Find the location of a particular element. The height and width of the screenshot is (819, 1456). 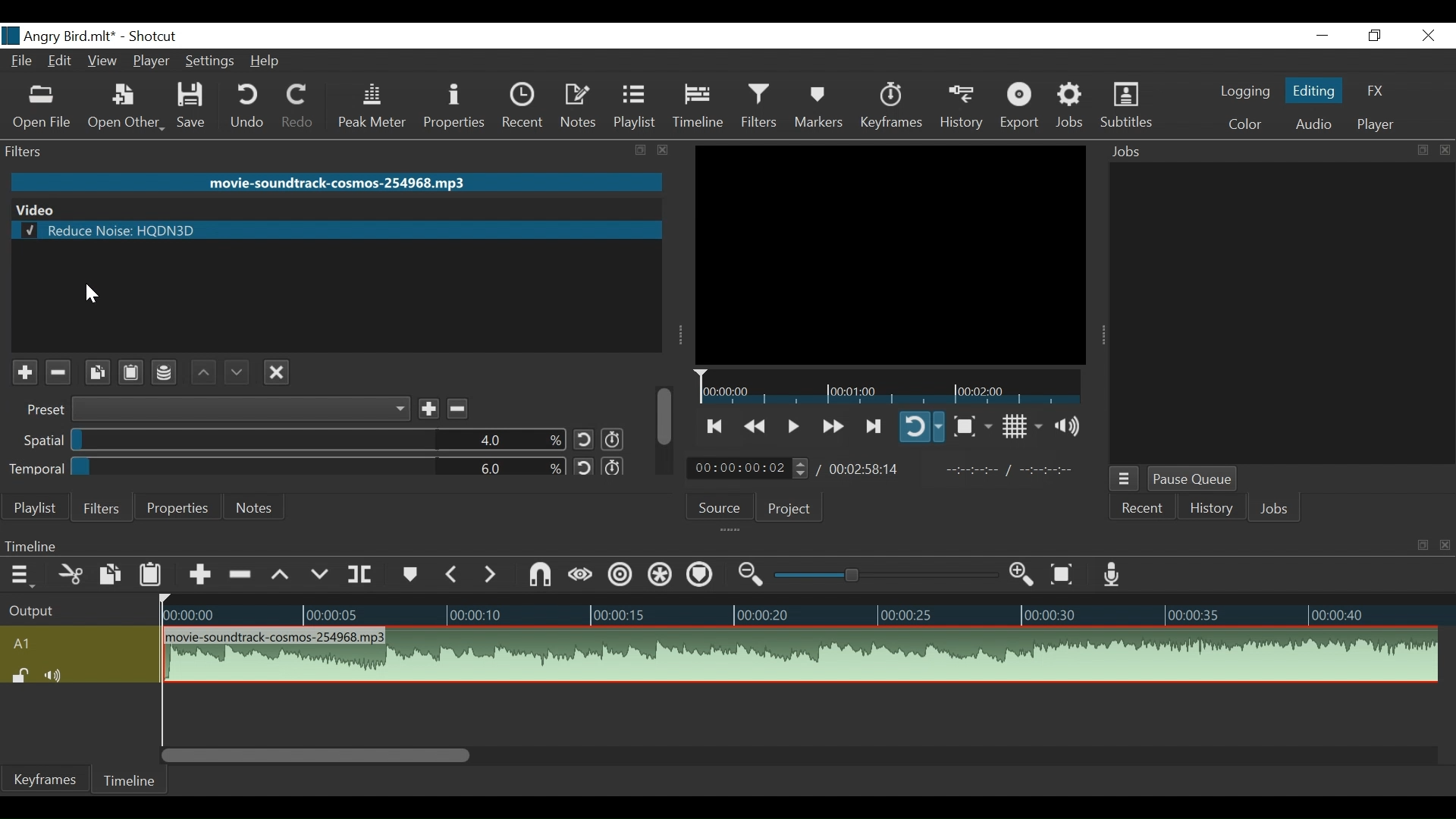

Markers is located at coordinates (818, 105).